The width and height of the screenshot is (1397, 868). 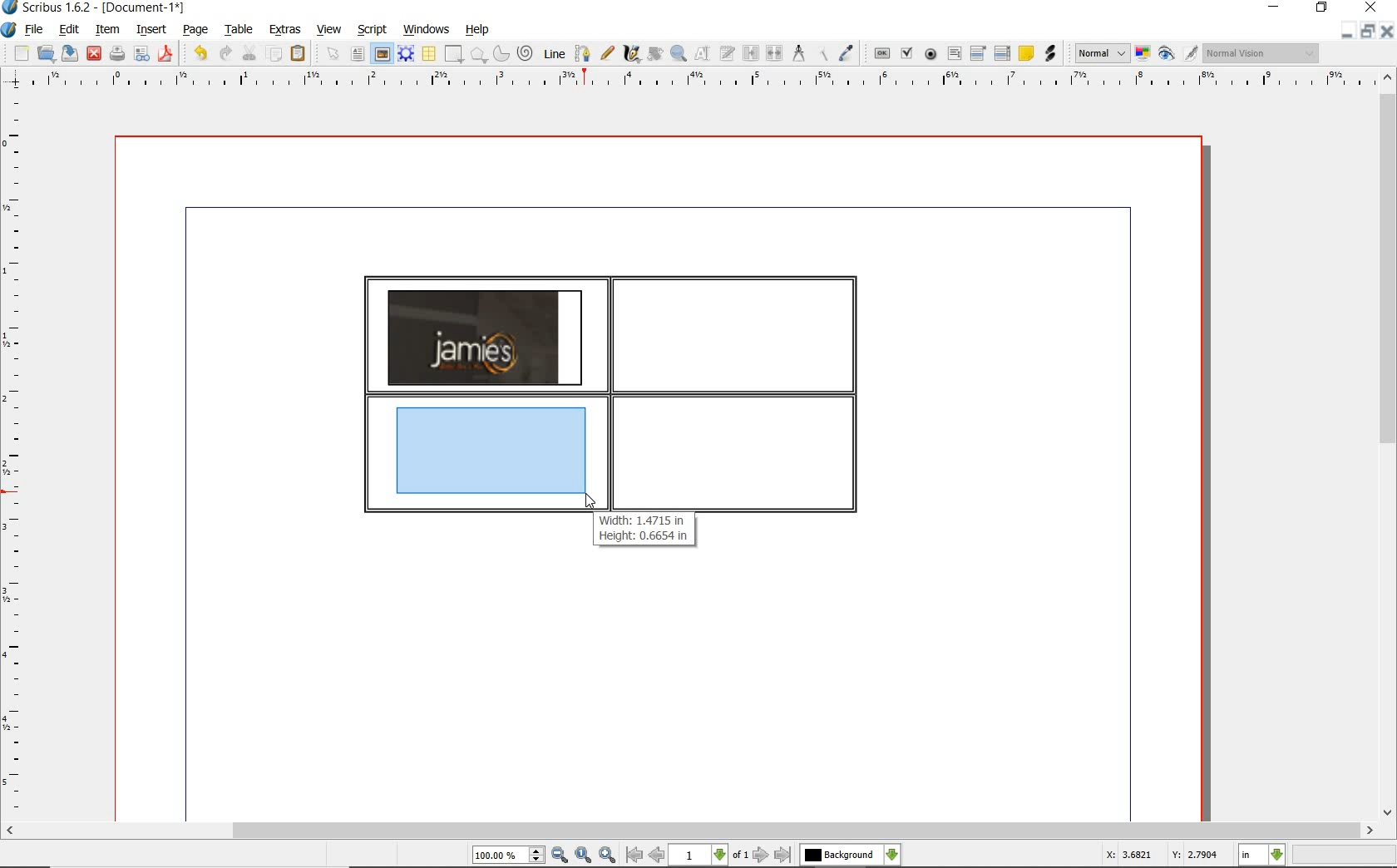 What do you see at coordinates (882, 52) in the screenshot?
I see `pdf push button` at bounding box center [882, 52].